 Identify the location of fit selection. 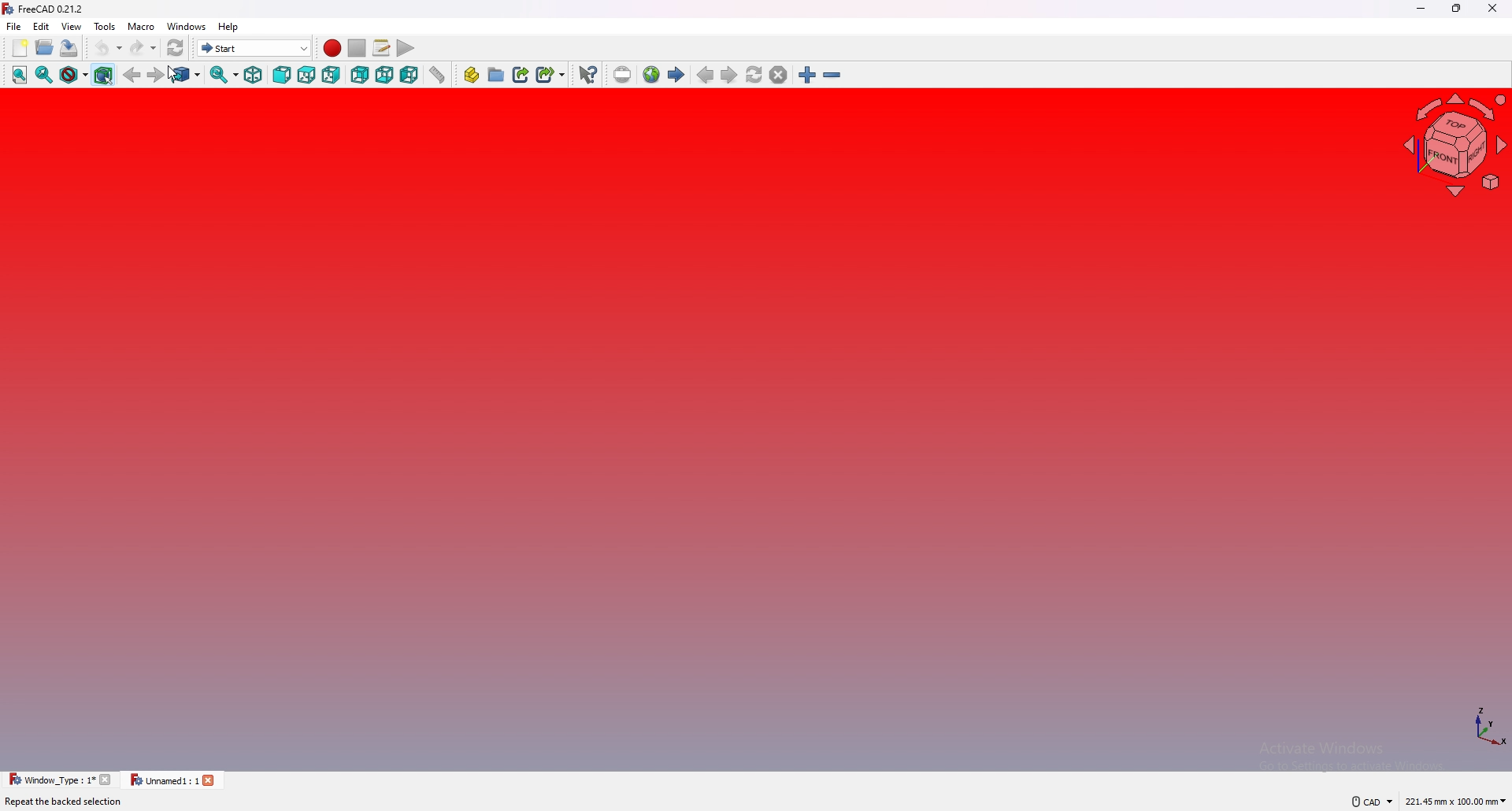
(46, 74).